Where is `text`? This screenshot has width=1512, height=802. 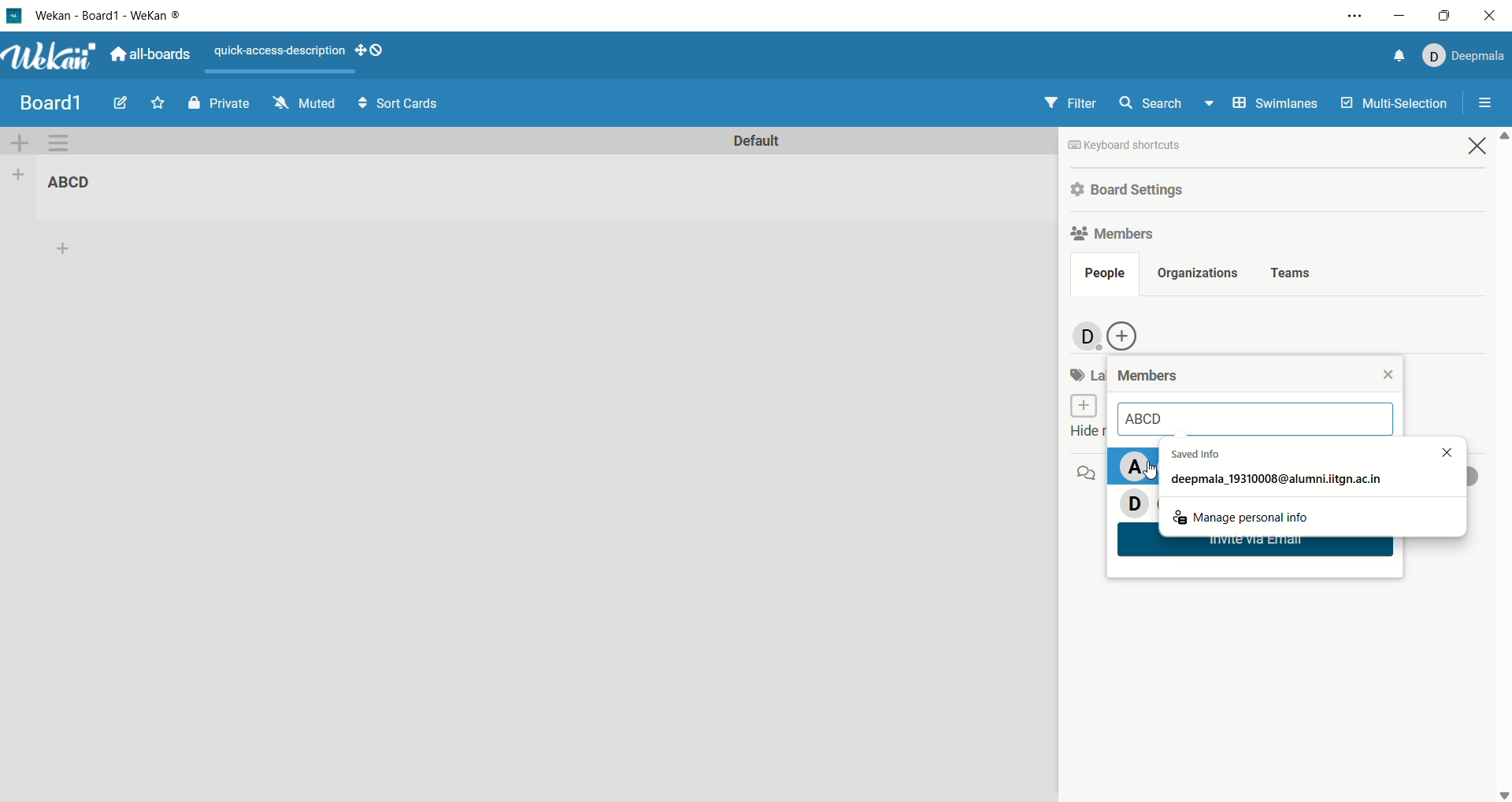
text is located at coordinates (280, 51).